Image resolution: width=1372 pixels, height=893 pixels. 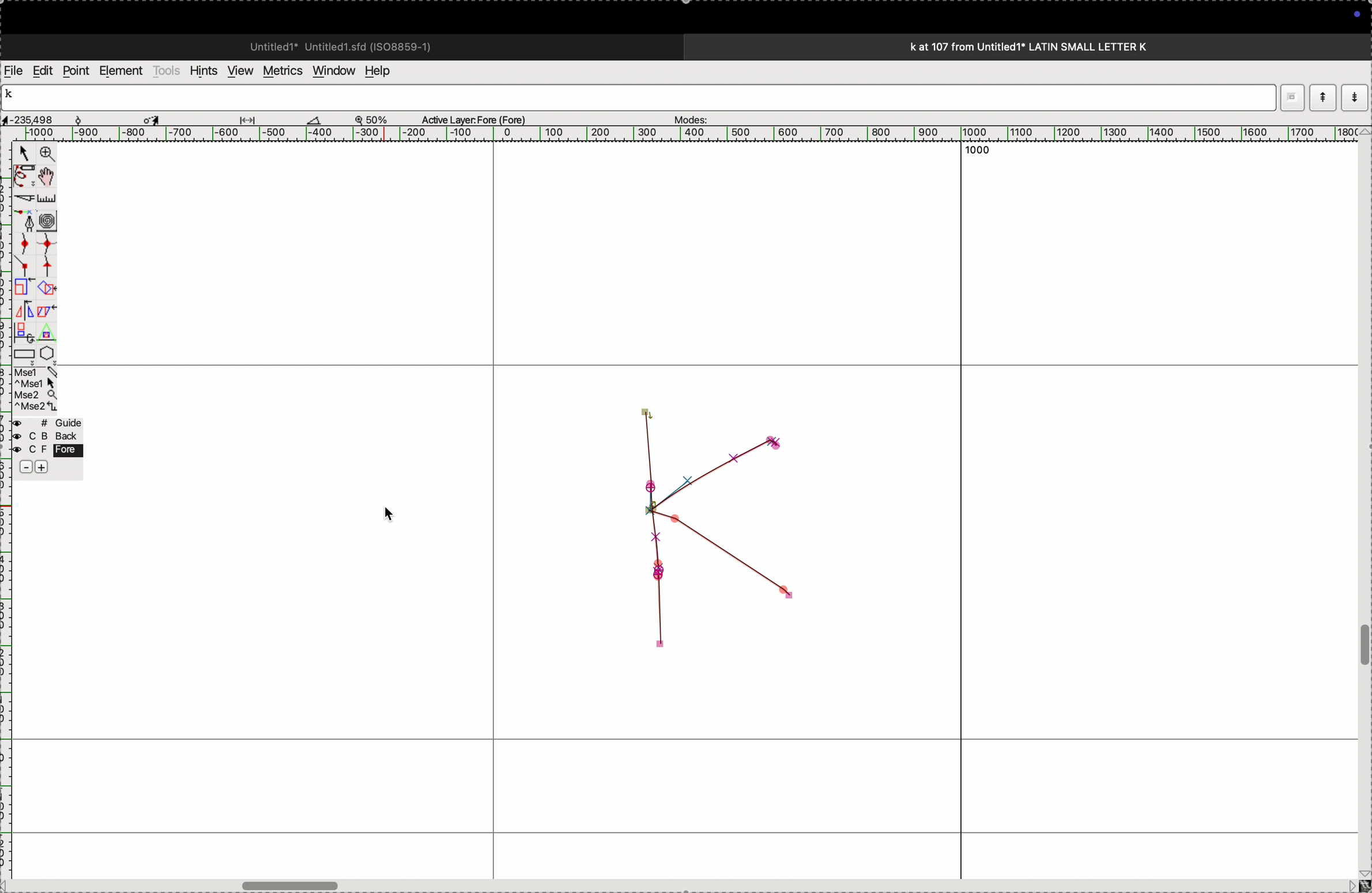 I want to click on polygon, so click(x=47, y=353).